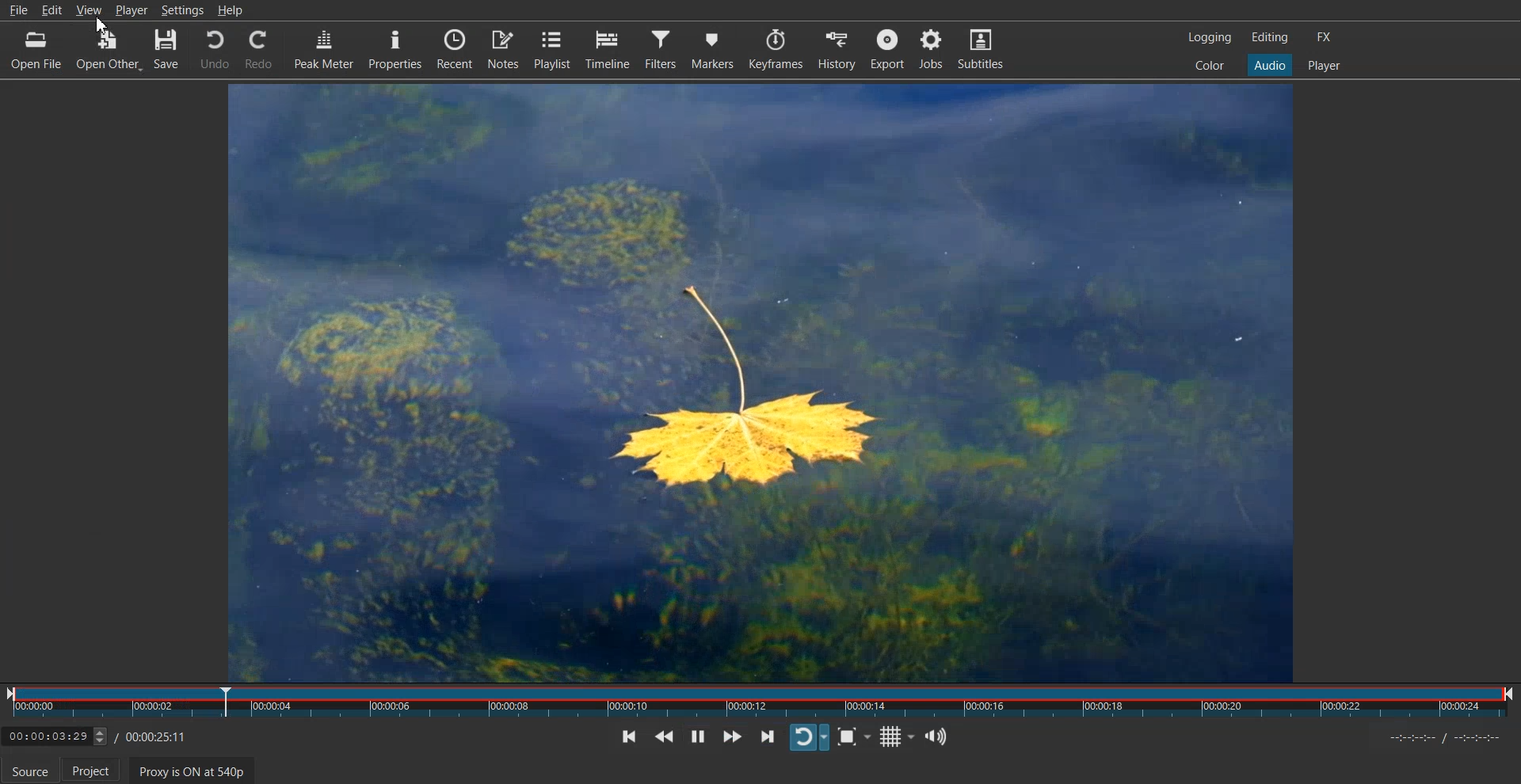 The height and width of the screenshot is (784, 1521). I want to click on Playlist, so click(554, 49).